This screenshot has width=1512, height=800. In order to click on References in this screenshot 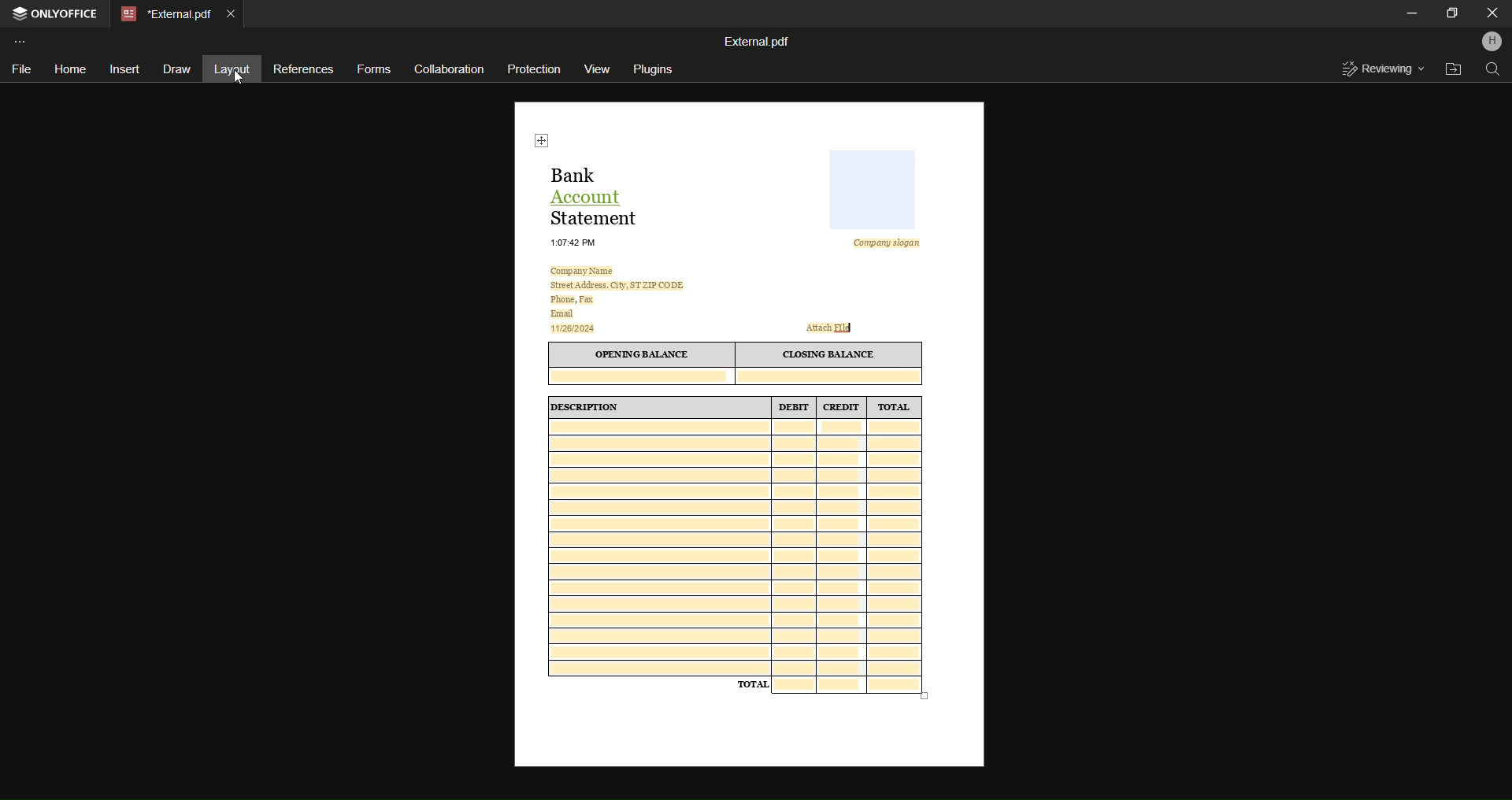, I will do `click(304, 72)`.